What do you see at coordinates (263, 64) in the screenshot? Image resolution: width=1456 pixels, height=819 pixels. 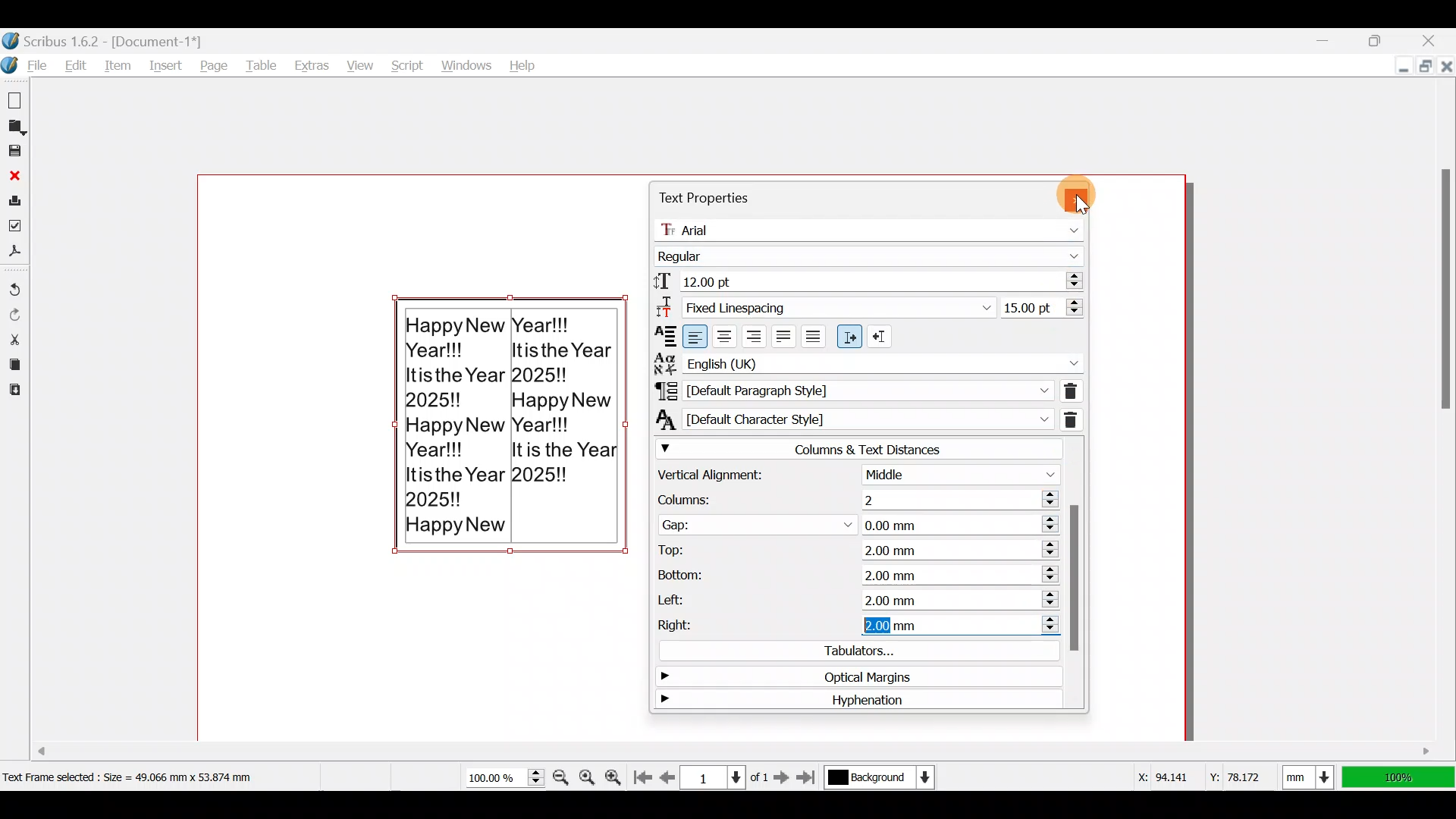 I see `Table` at bounding box center [263, 64].